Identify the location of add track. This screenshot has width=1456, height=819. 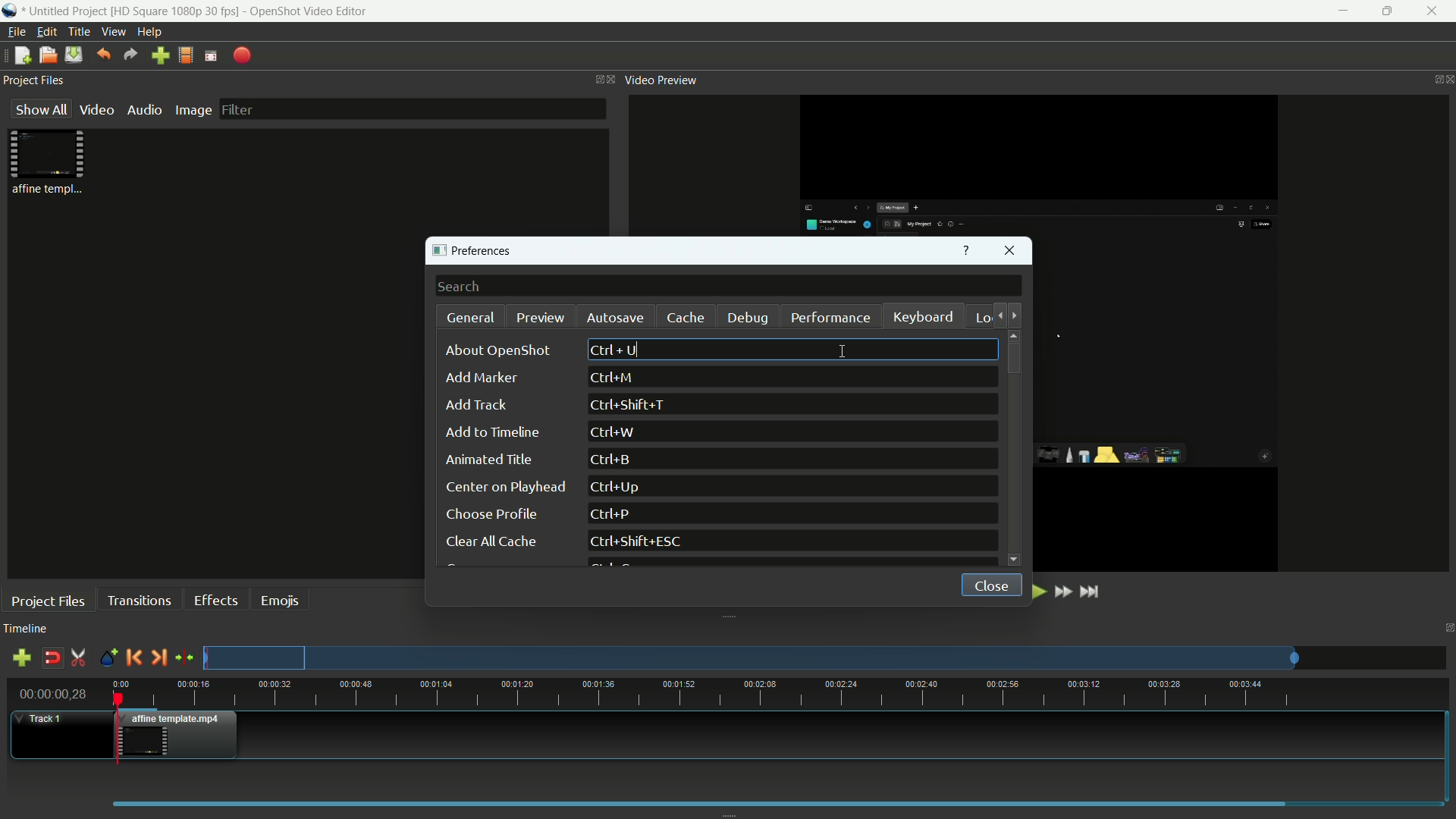
(21, 660).